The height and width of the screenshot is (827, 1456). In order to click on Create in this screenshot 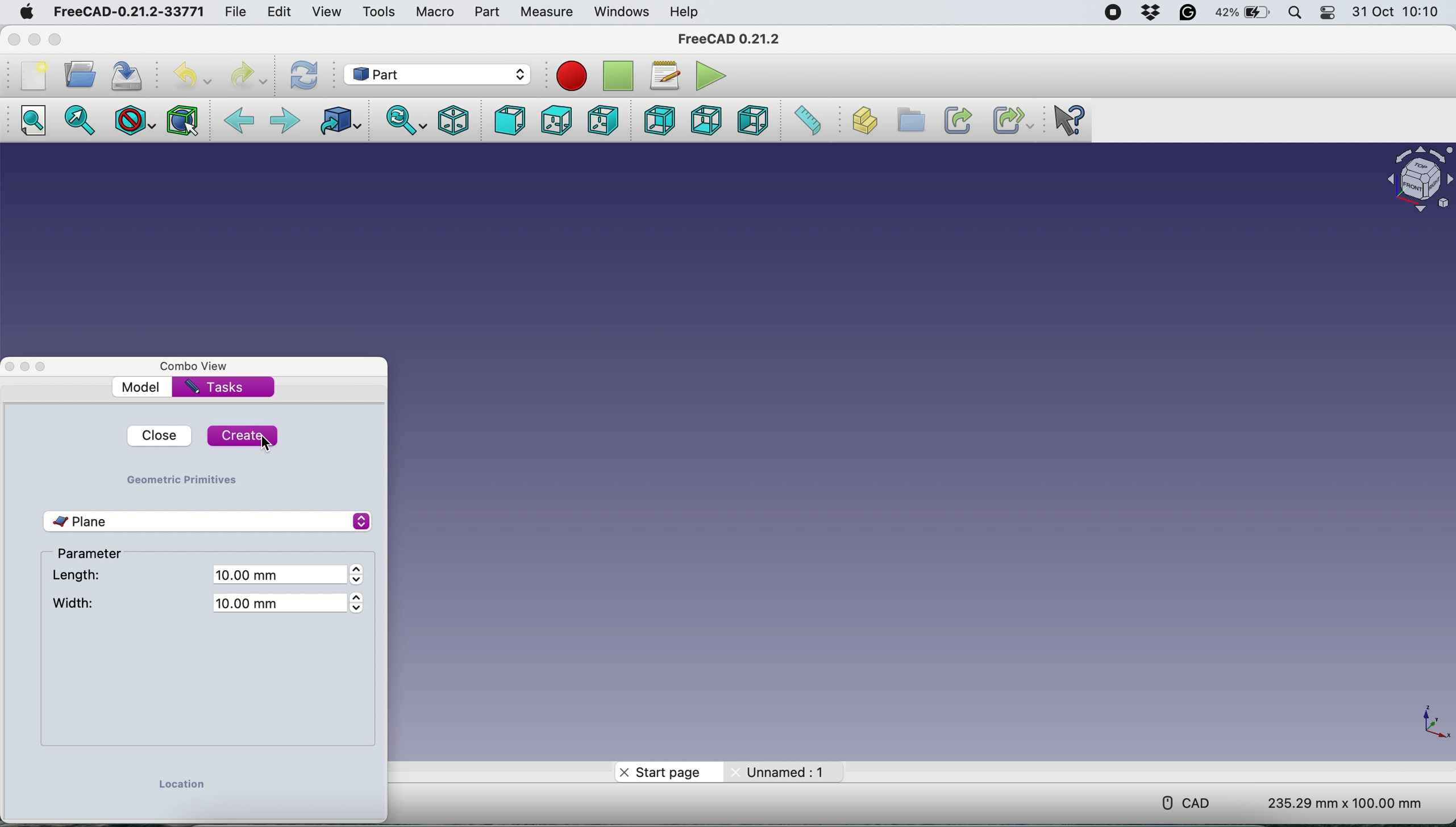, I will do `click(242, 436)`.